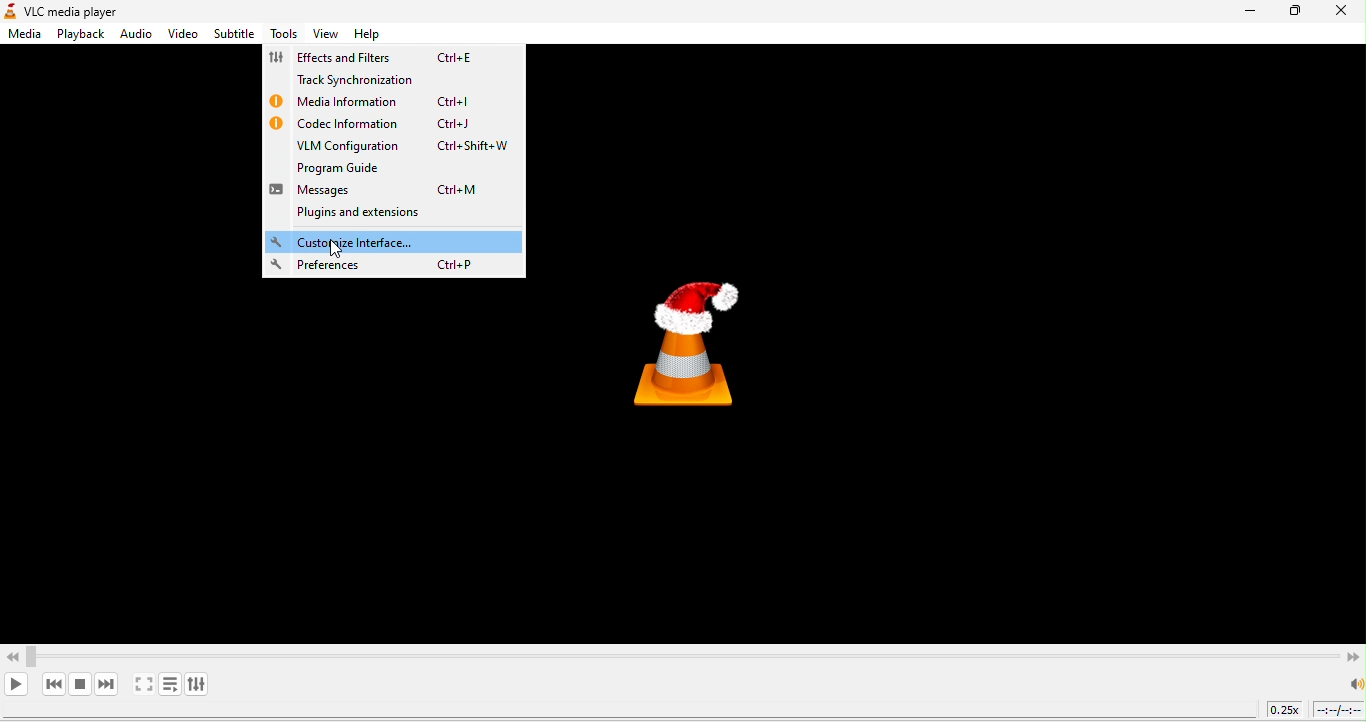  What do you see at coordinates (393, 242) in the screenshot?
I see `customized interface` at bounding box center [393, 242].